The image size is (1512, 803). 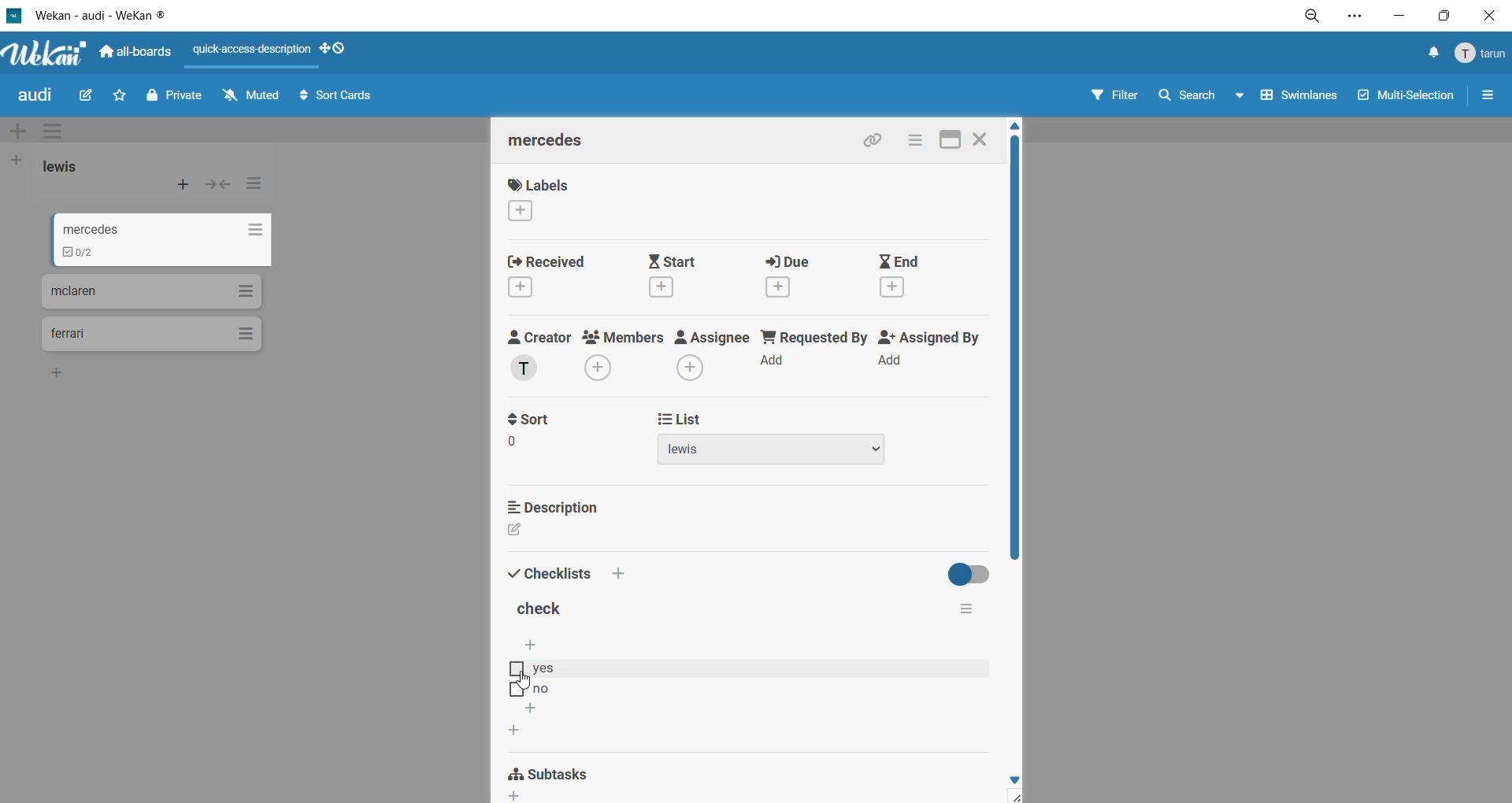 What do you see at coordinates (88, 15) in the screenshot?
I see `app title` at bounding box center [88, 15].